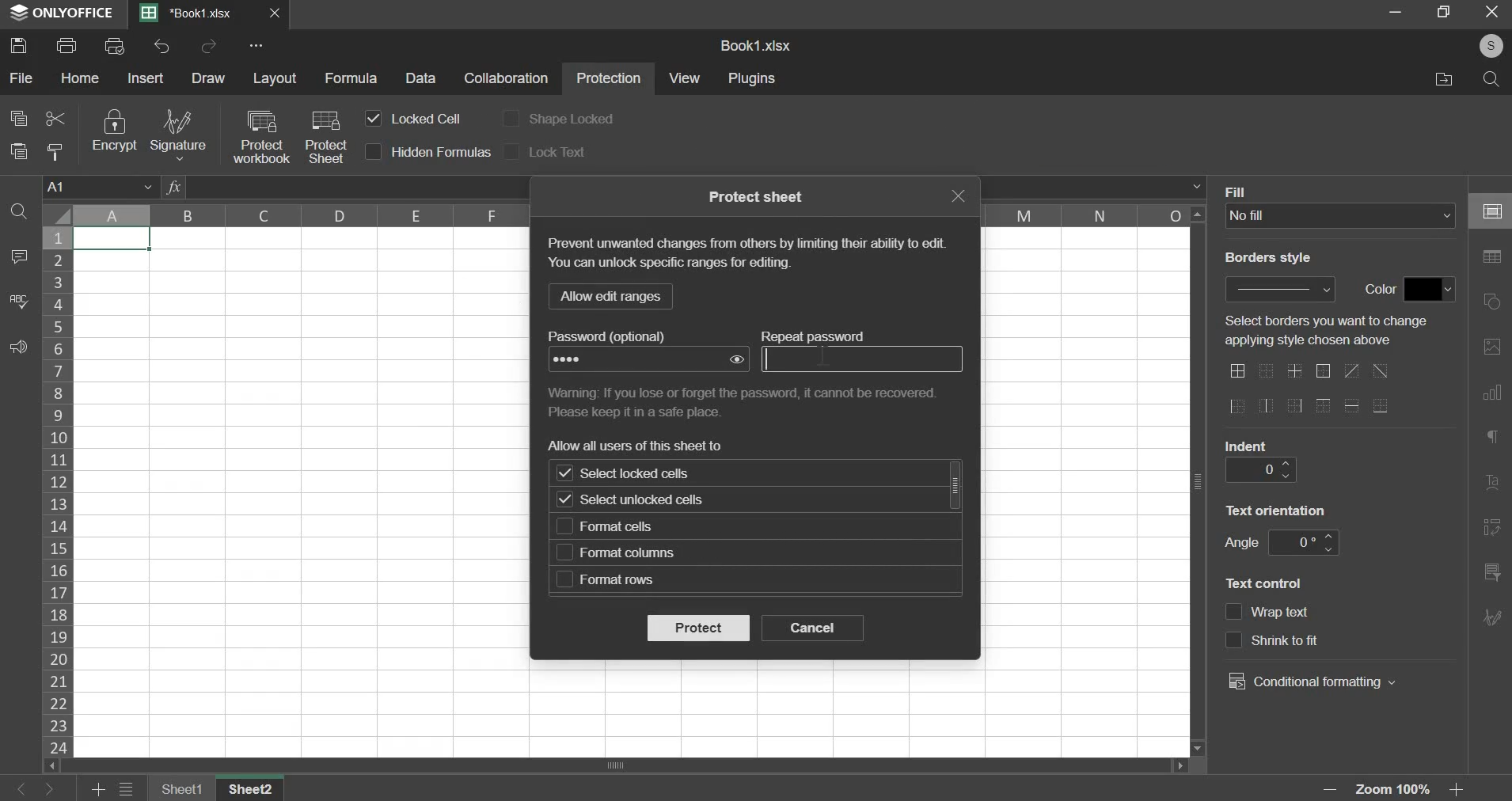 This screenshot has width=1512, height=801. Describe the element at coordinates (576, 359) in the screenshot. I see `Password` at that location.